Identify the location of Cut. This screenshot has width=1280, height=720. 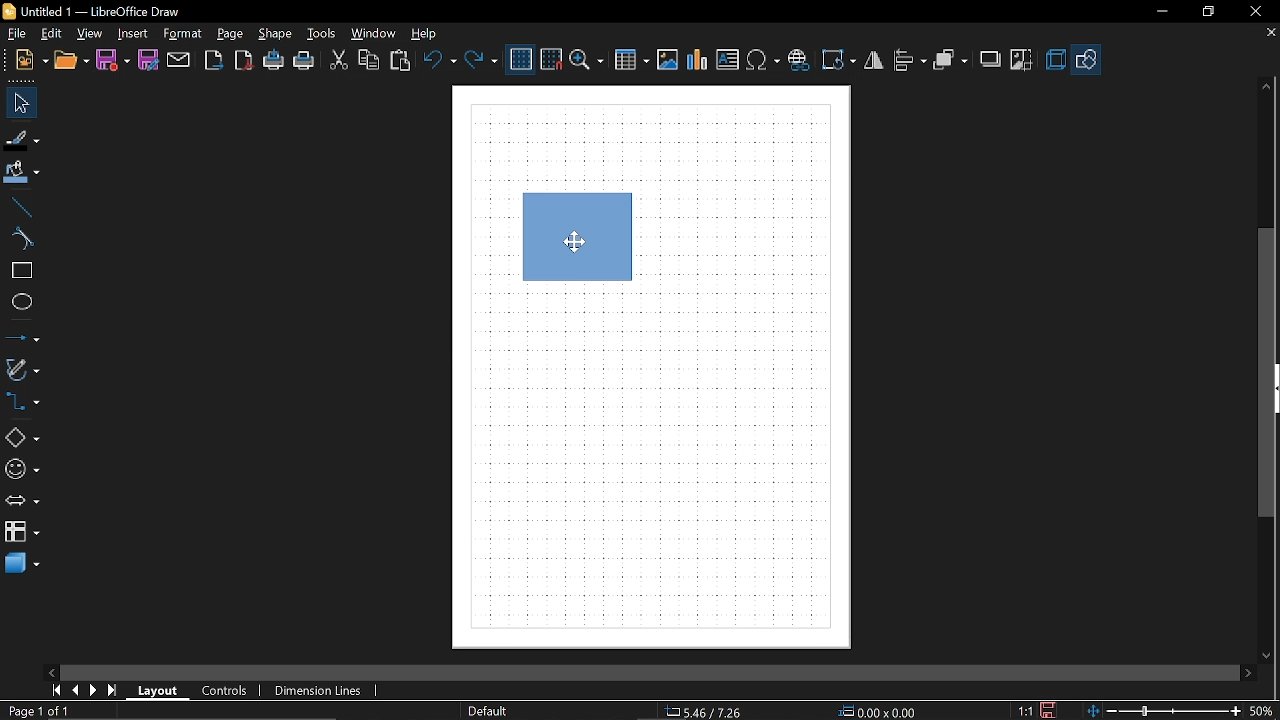
(337, 59).